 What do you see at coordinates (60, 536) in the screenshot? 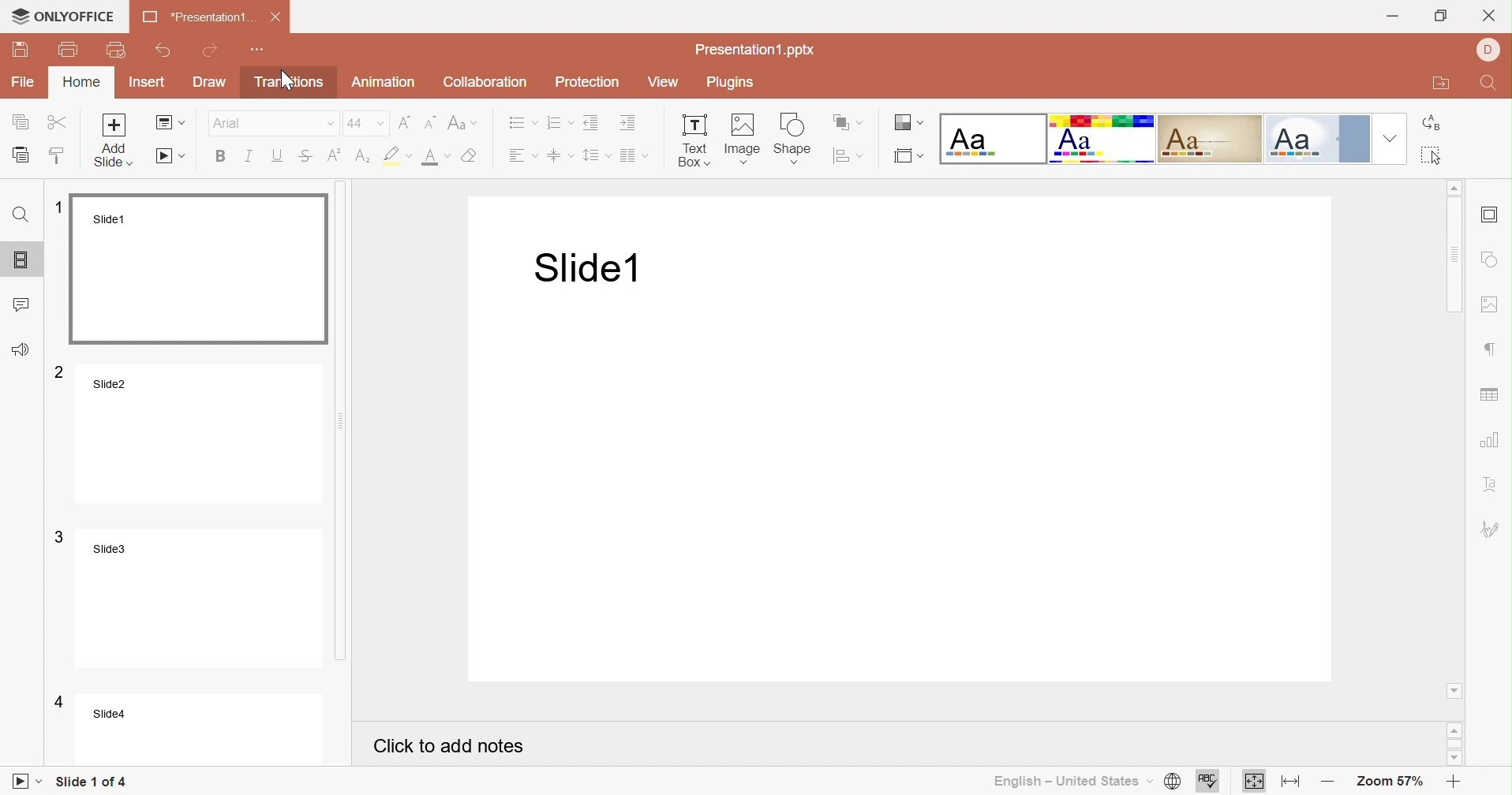
I see `3` at bounding box center [60, 536].